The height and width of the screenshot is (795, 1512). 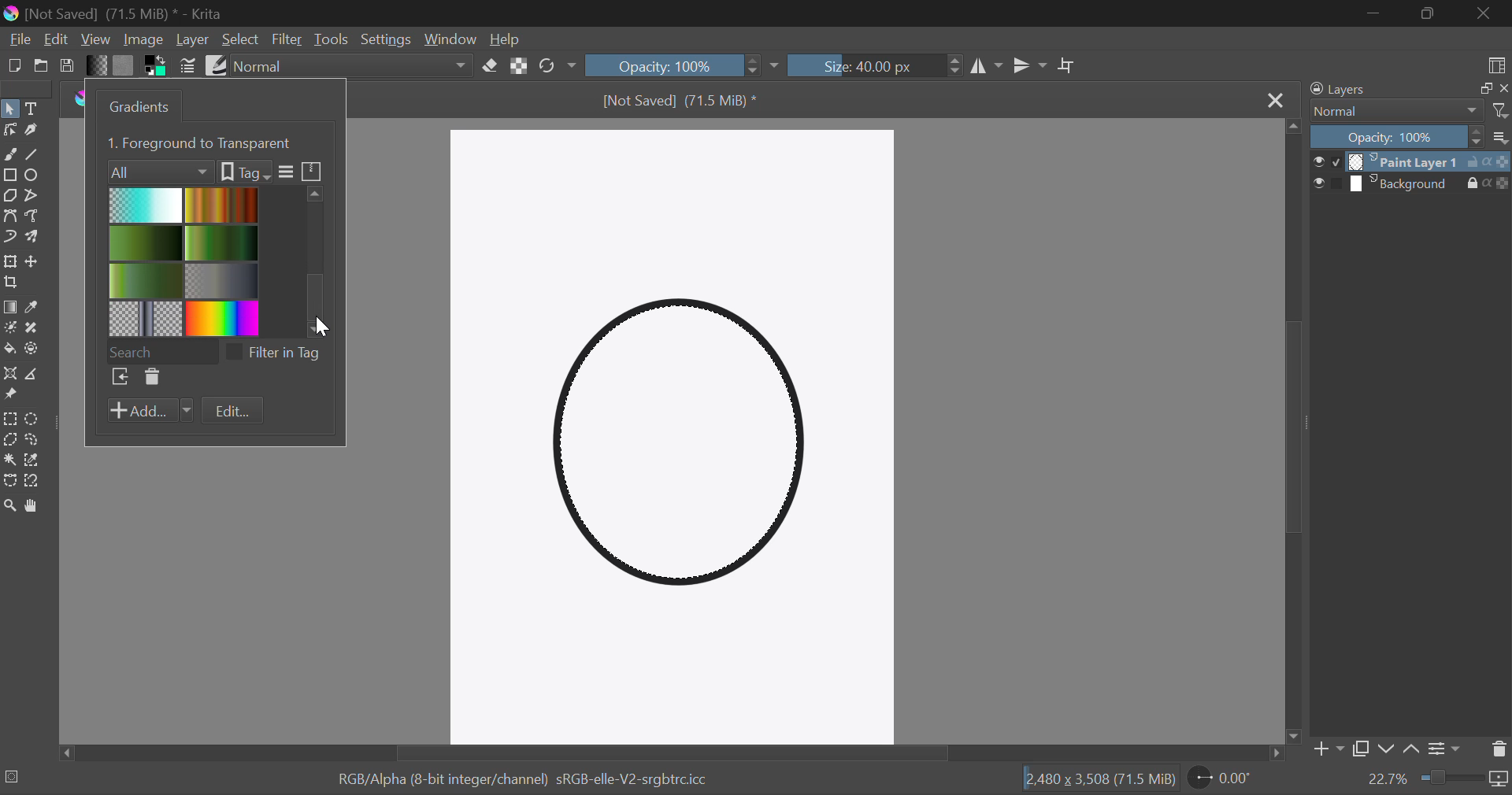 I want to click on View, so click(x=95, y=40).